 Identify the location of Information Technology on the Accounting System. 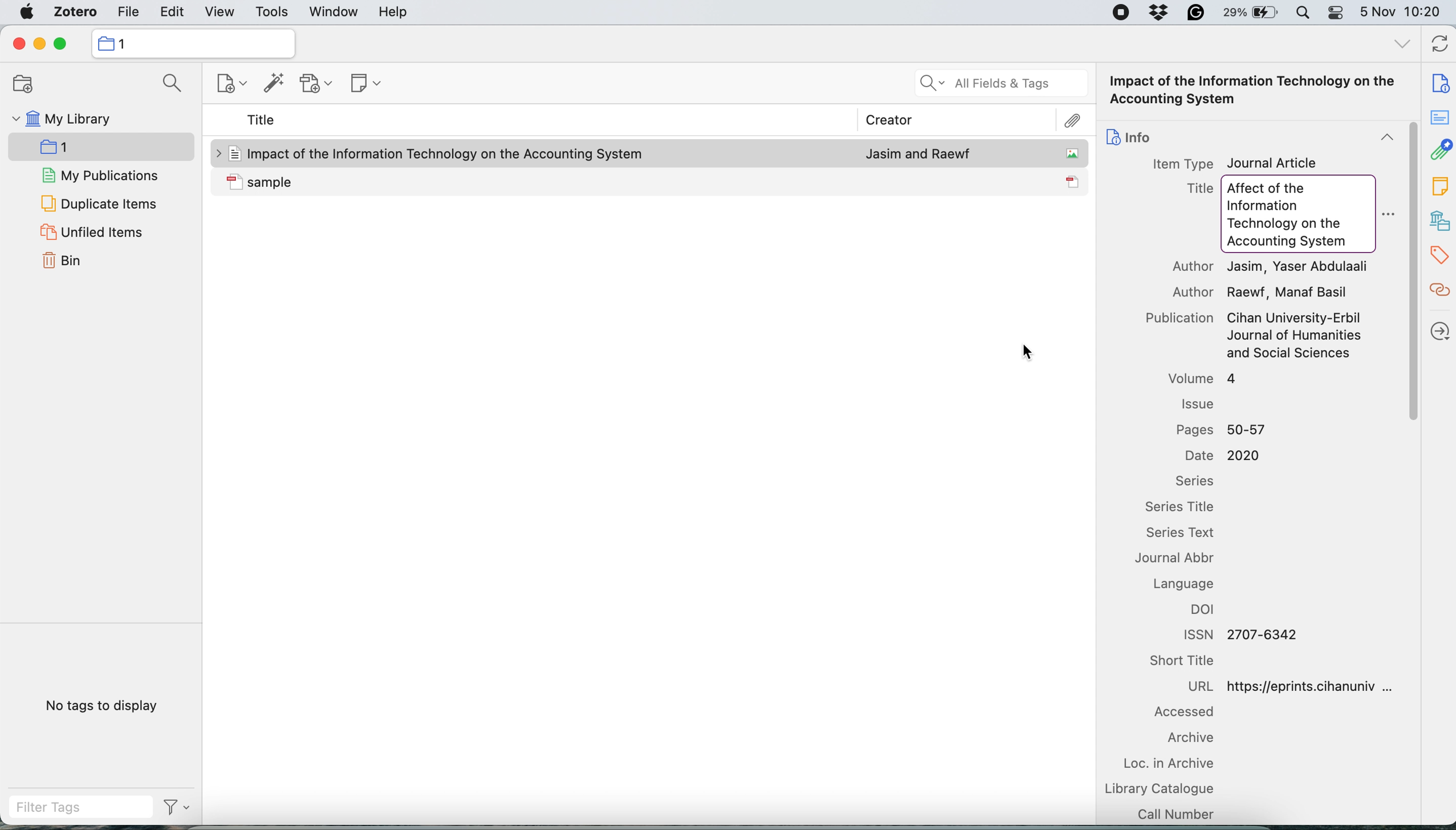
(1290, 226).